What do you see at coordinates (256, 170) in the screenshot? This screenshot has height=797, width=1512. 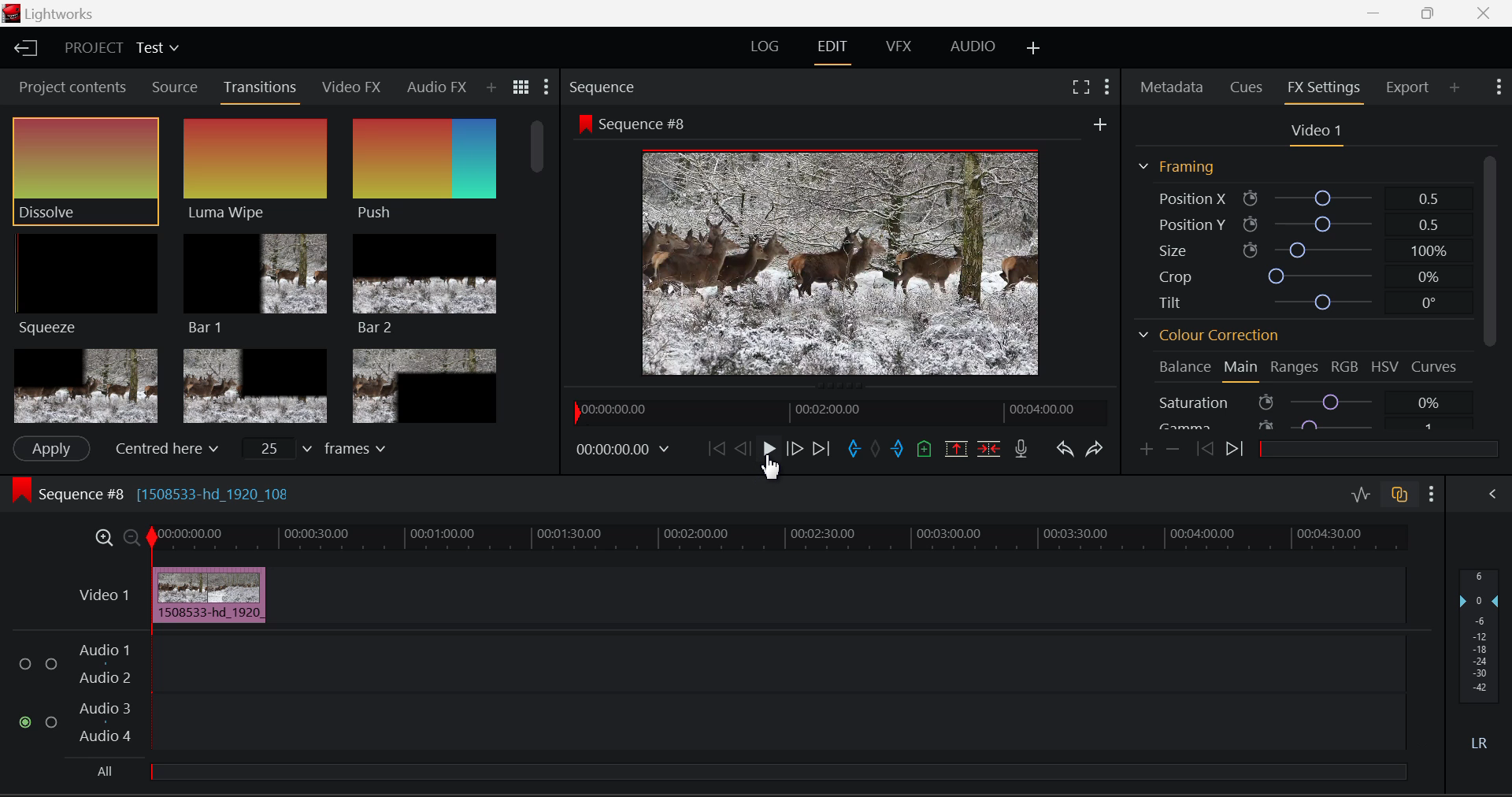 I see `Luma Wipe` at bounding box center [256, 170].